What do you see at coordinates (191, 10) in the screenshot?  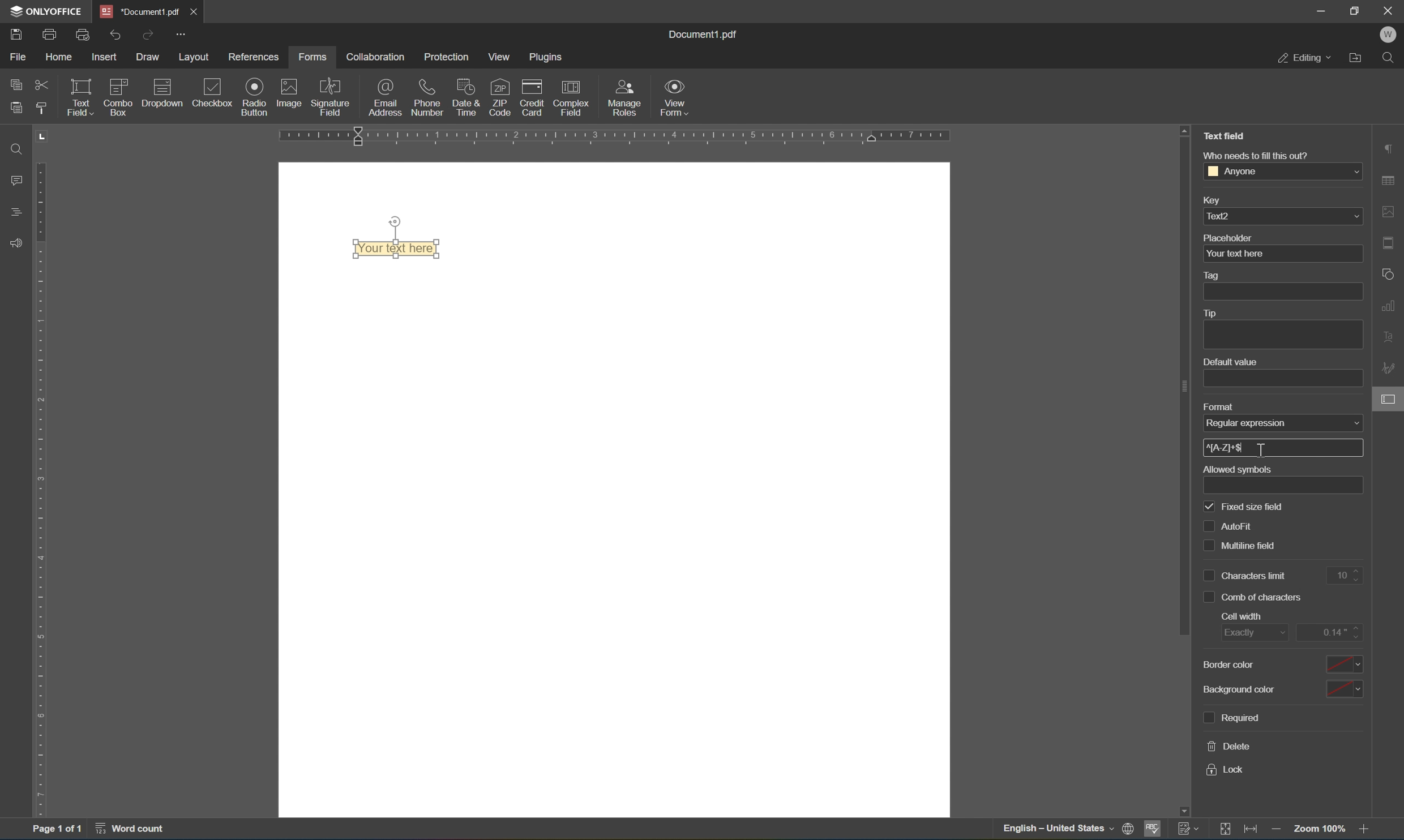 I see `close` at bounding box center [191, 10].